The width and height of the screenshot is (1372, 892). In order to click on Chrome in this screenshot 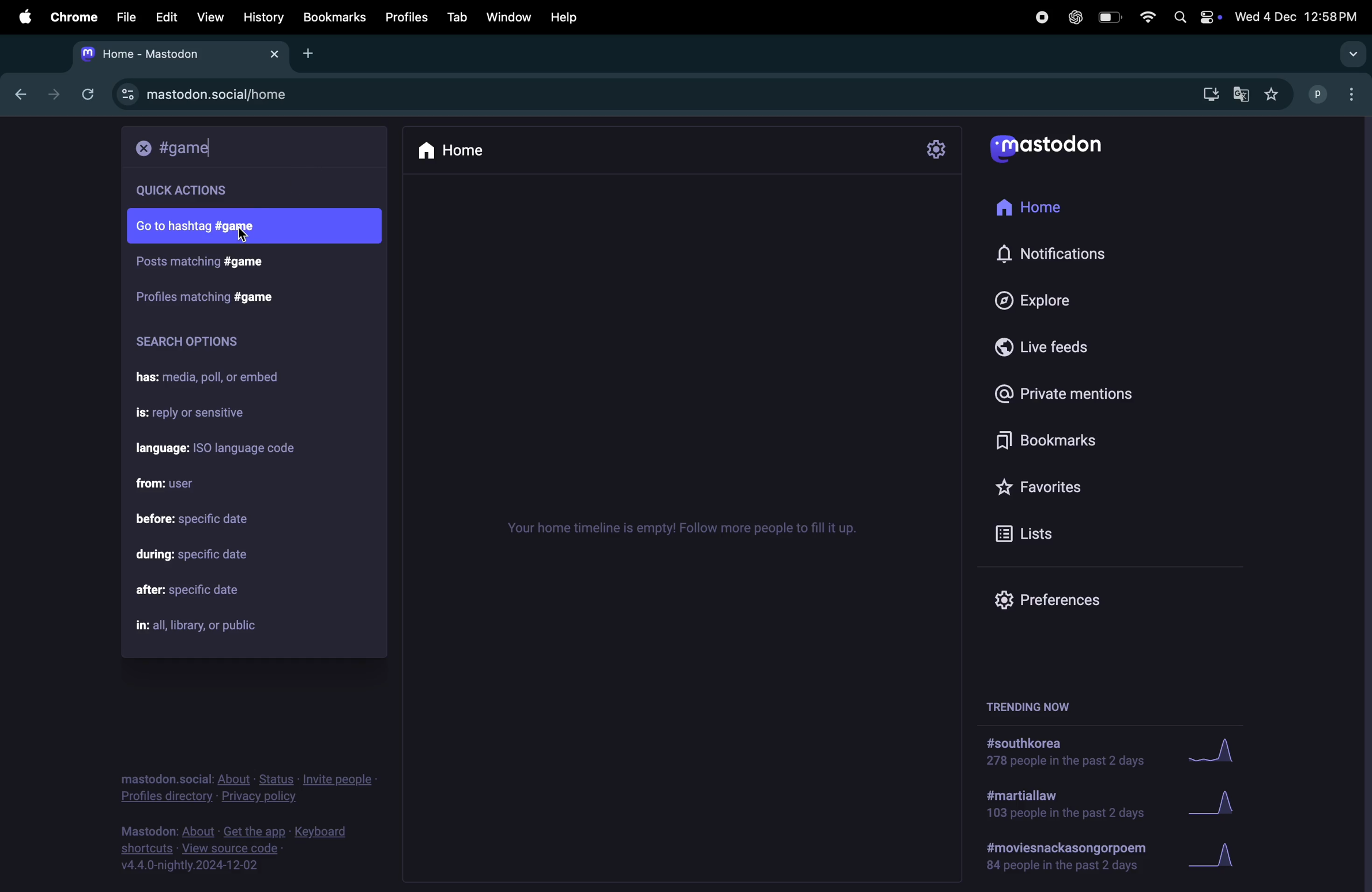, I will do `click(72, 16)`.